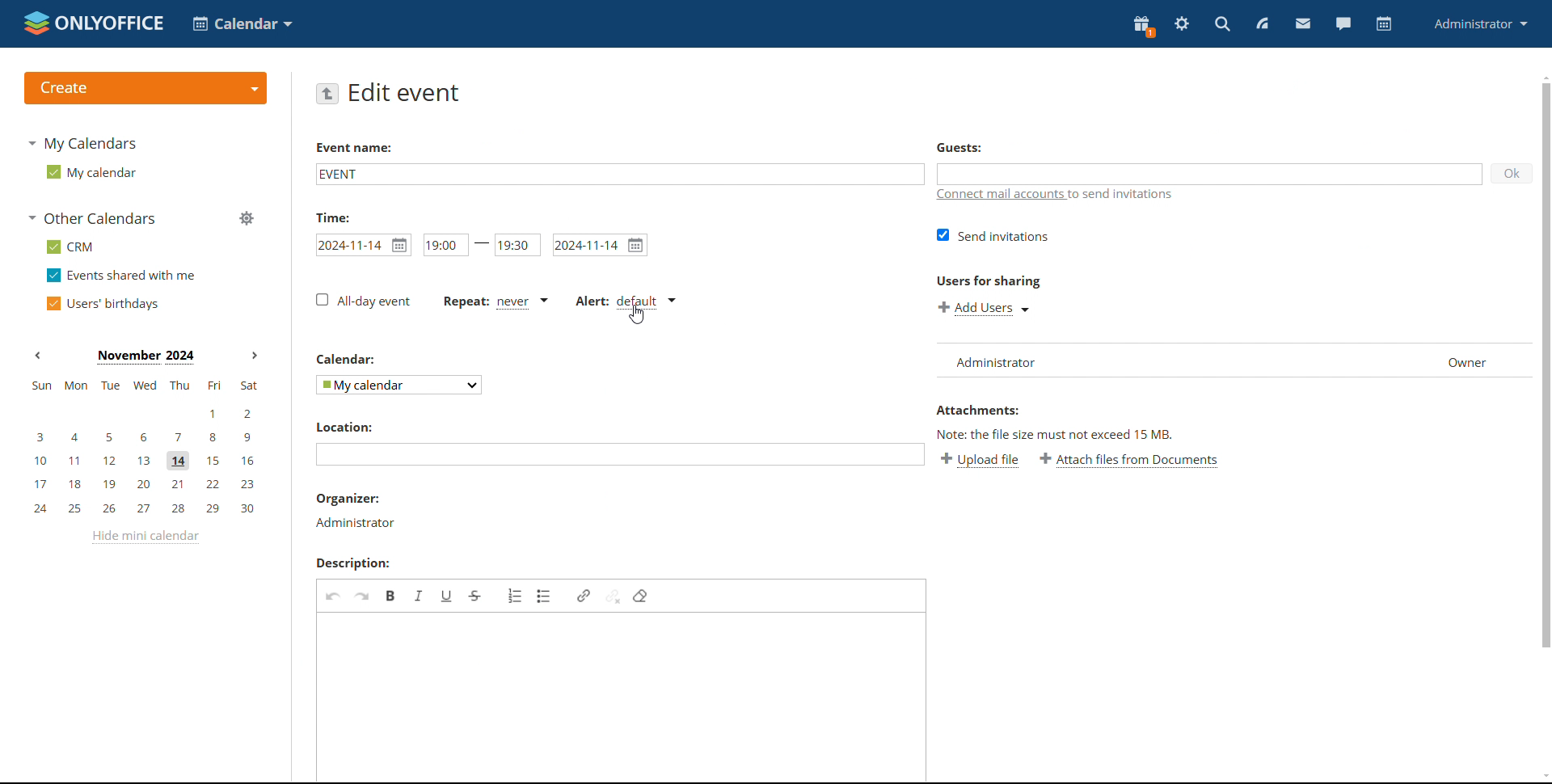 The width and height of the screenshot is (1552, 784). I want to click on next month, so click(254, 354).